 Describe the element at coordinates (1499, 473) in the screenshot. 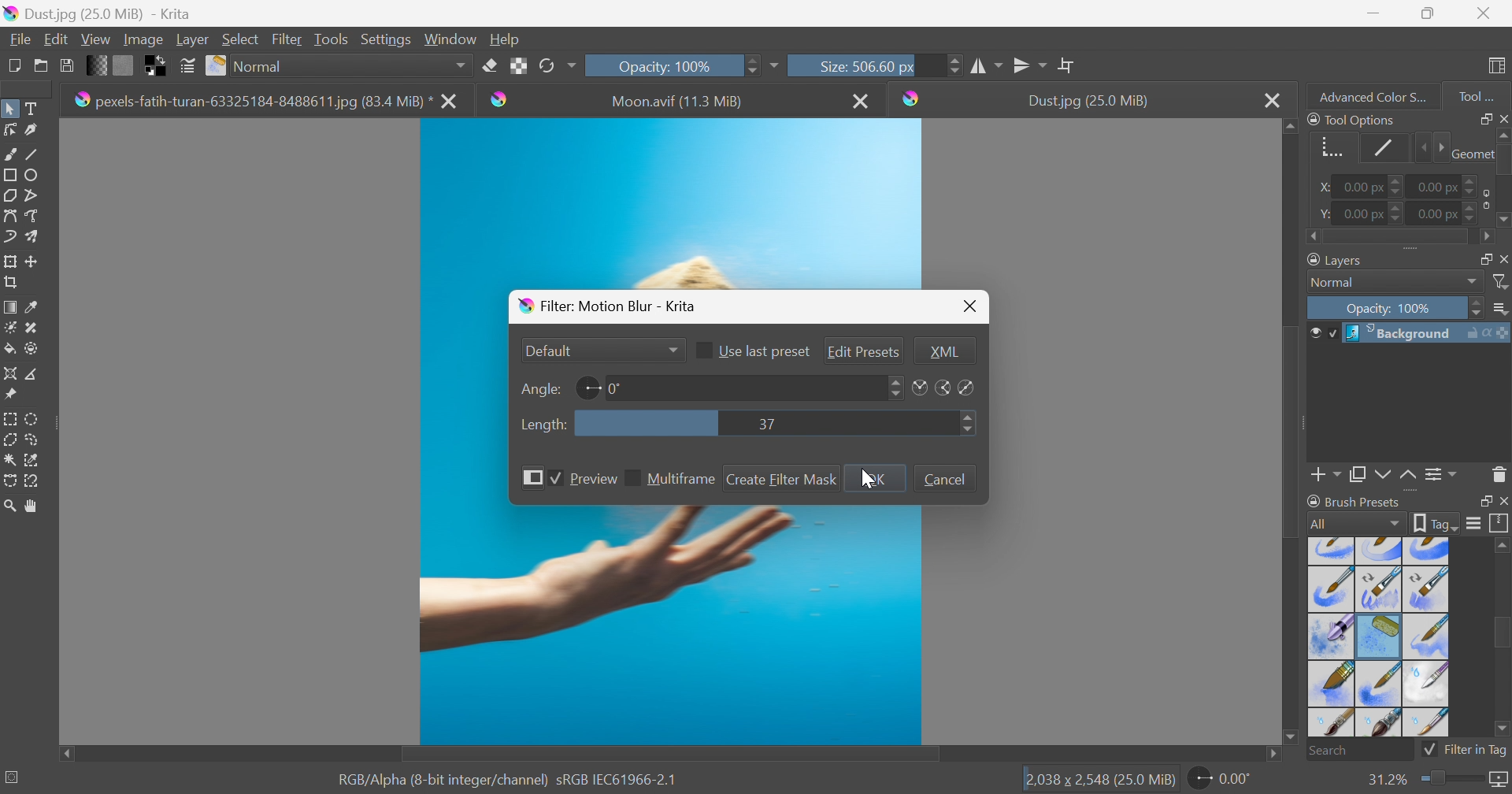

I see `Delete` at that location.